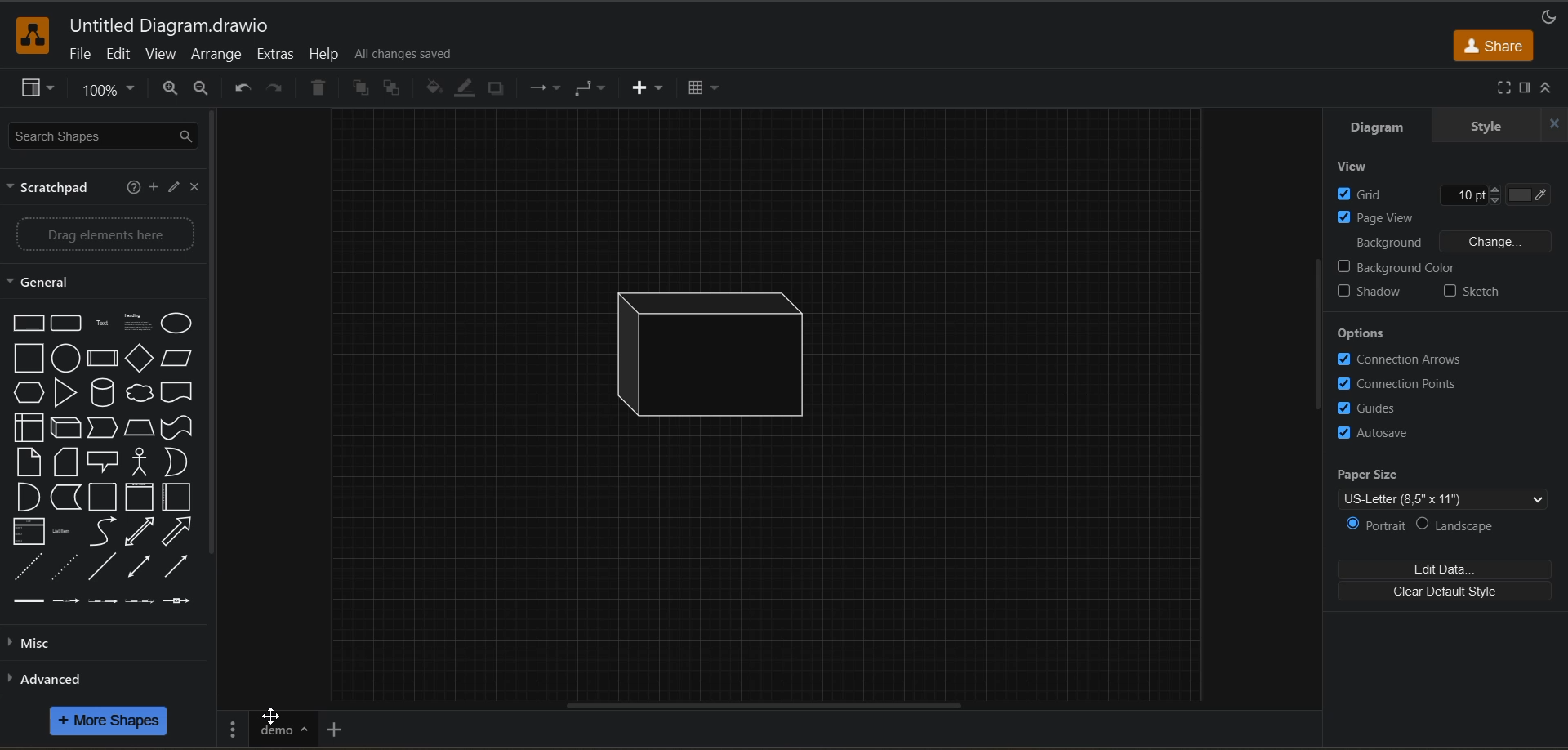  I want to click on Cursor, so click(269, 712).